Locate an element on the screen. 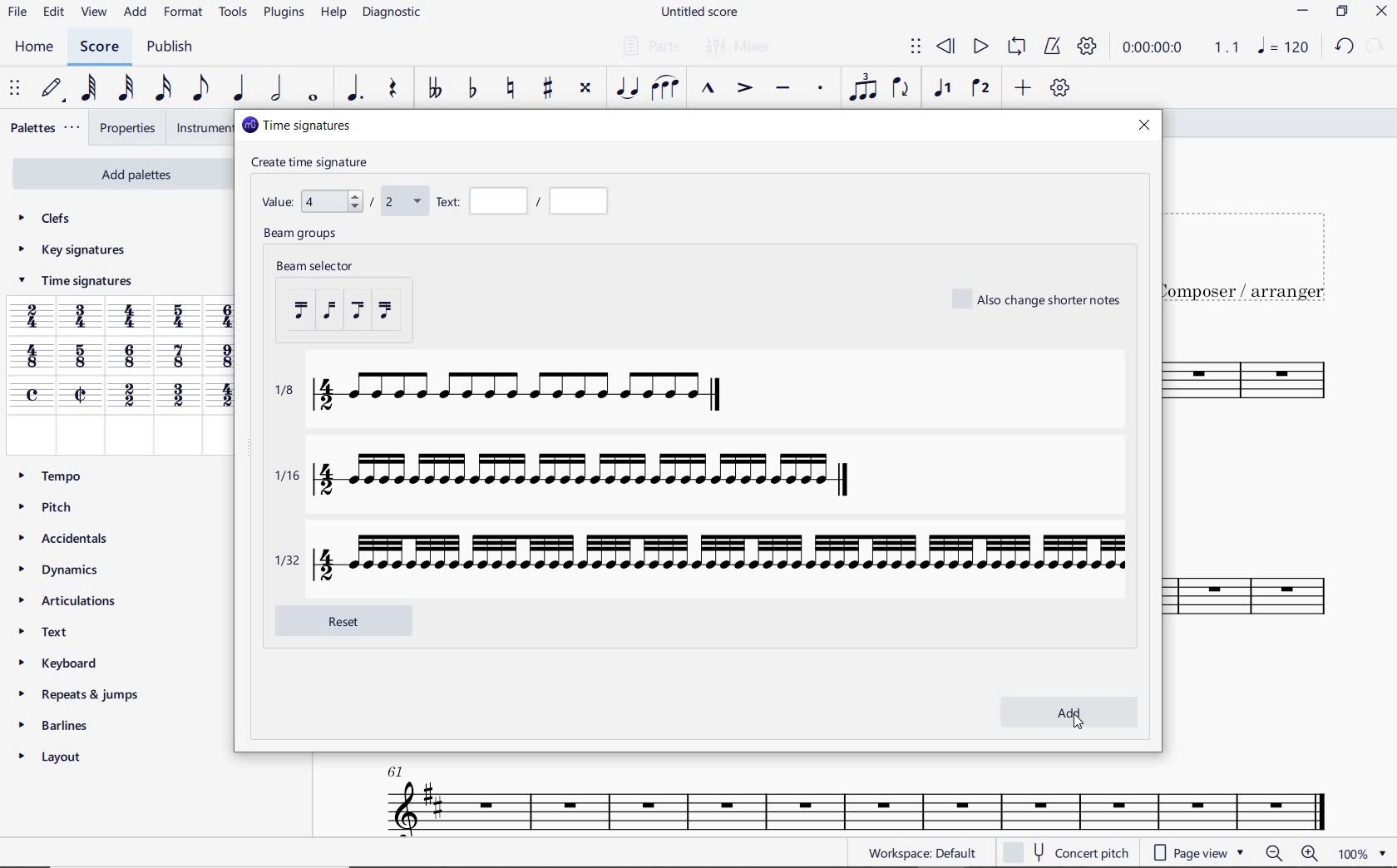  6/4 is located at coordinates (227, 316).